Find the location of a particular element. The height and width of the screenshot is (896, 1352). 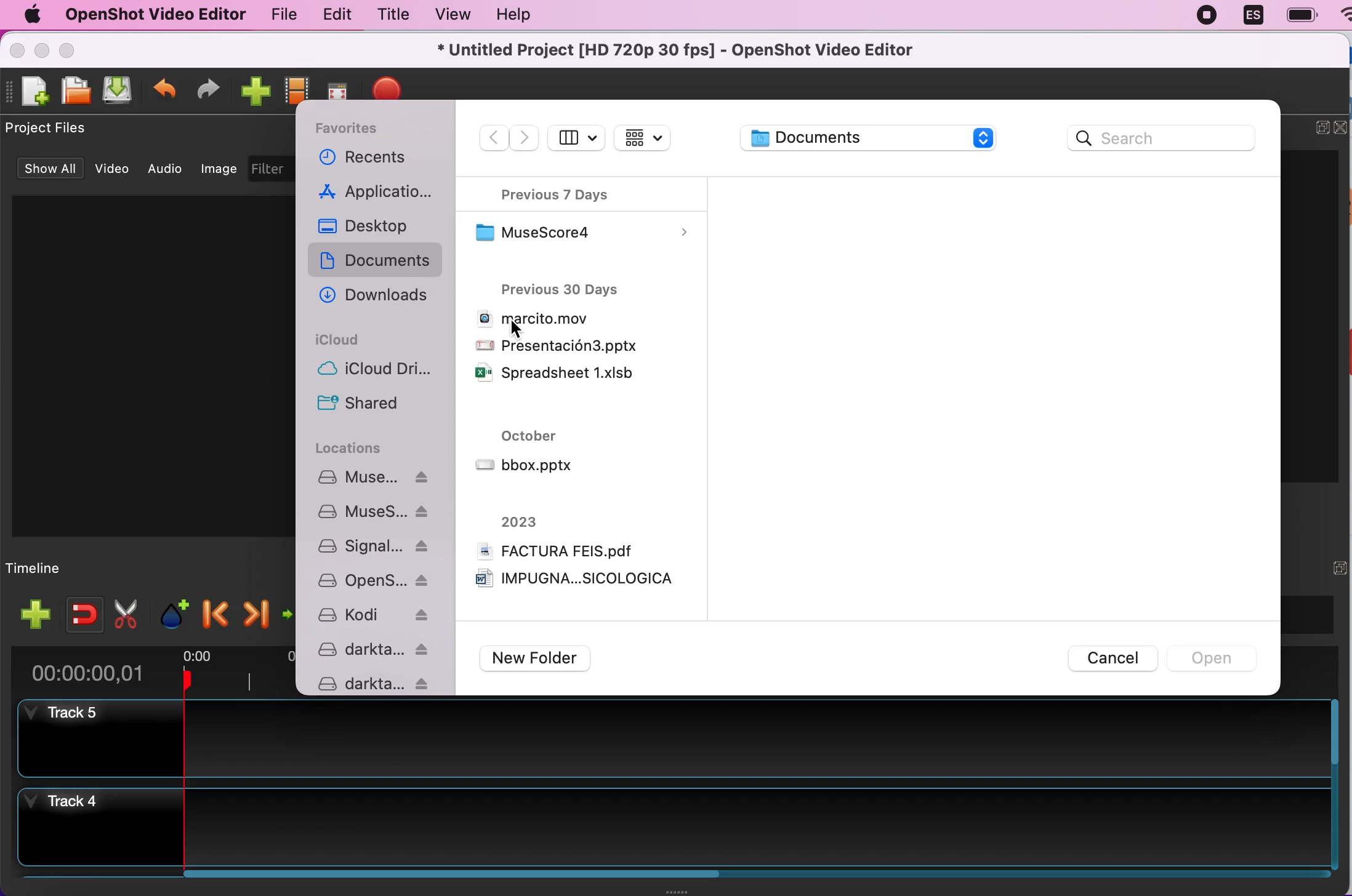

next marker is located at coordinates (255, 612).